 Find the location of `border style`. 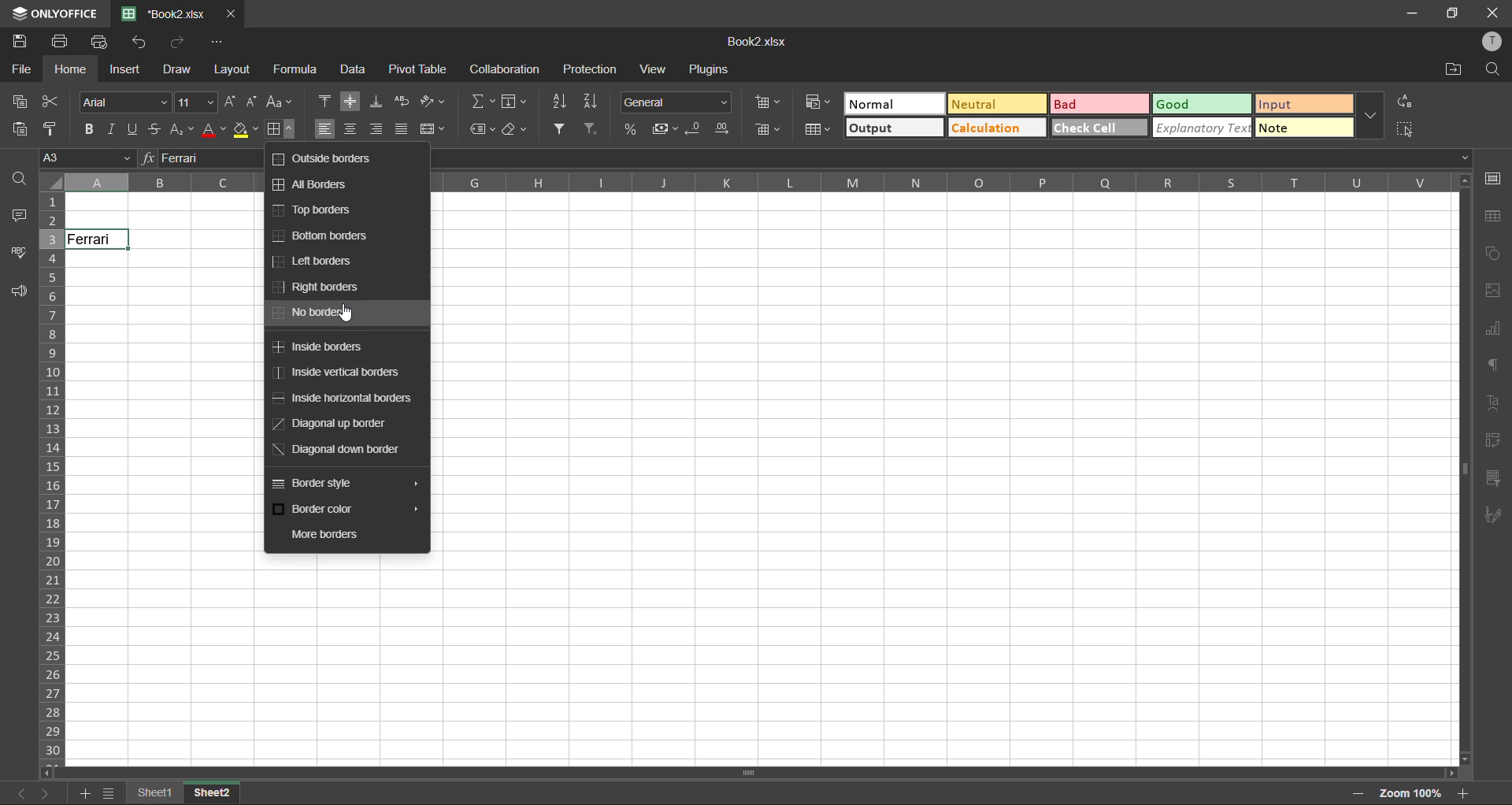

border style is located at coordinates (317, 484).